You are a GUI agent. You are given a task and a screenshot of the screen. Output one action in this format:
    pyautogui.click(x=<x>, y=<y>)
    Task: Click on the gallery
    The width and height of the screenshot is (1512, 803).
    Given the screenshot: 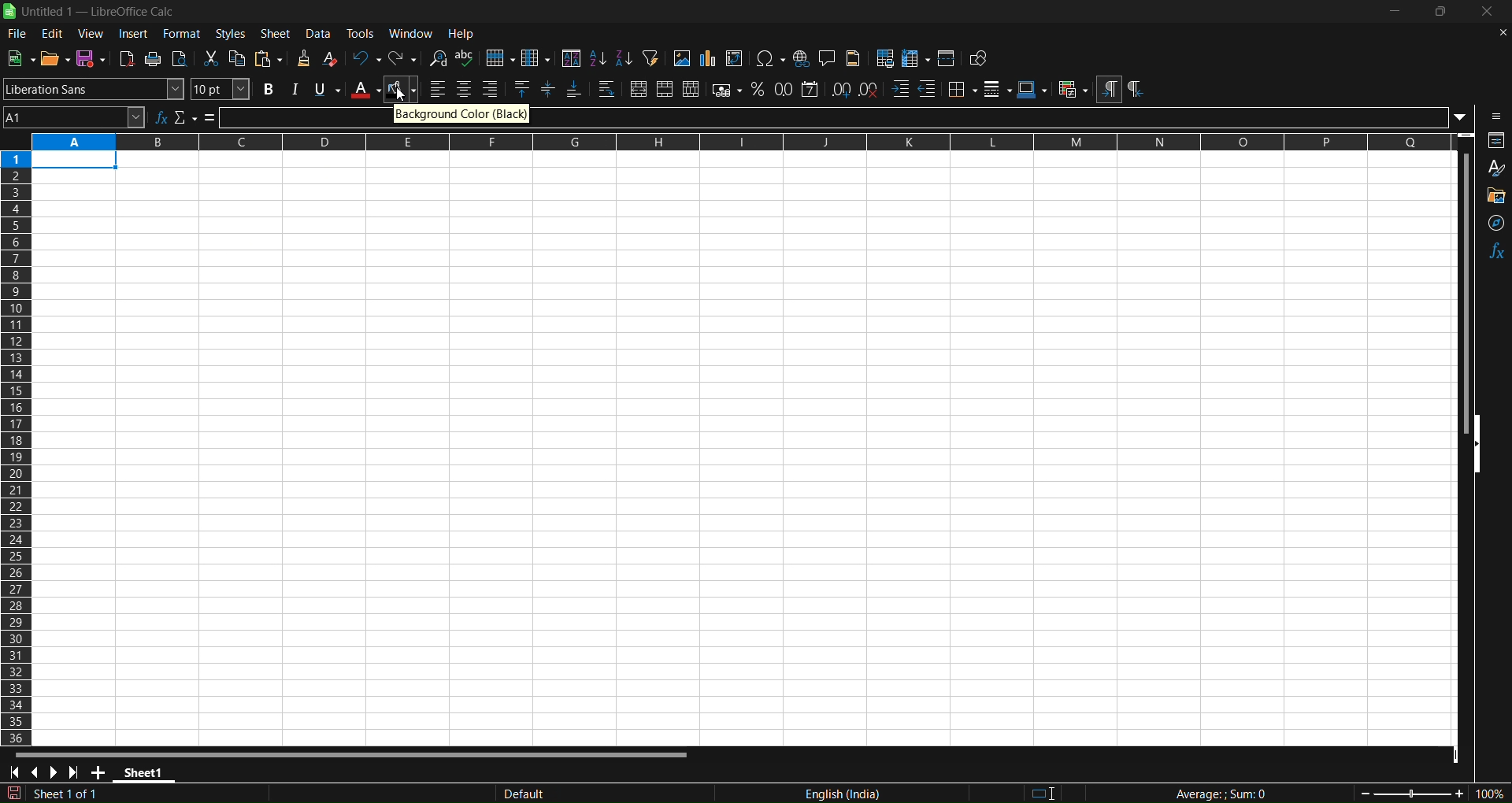 What is the action you would take?
    pyautogui.click(x=1493, y=191)
    